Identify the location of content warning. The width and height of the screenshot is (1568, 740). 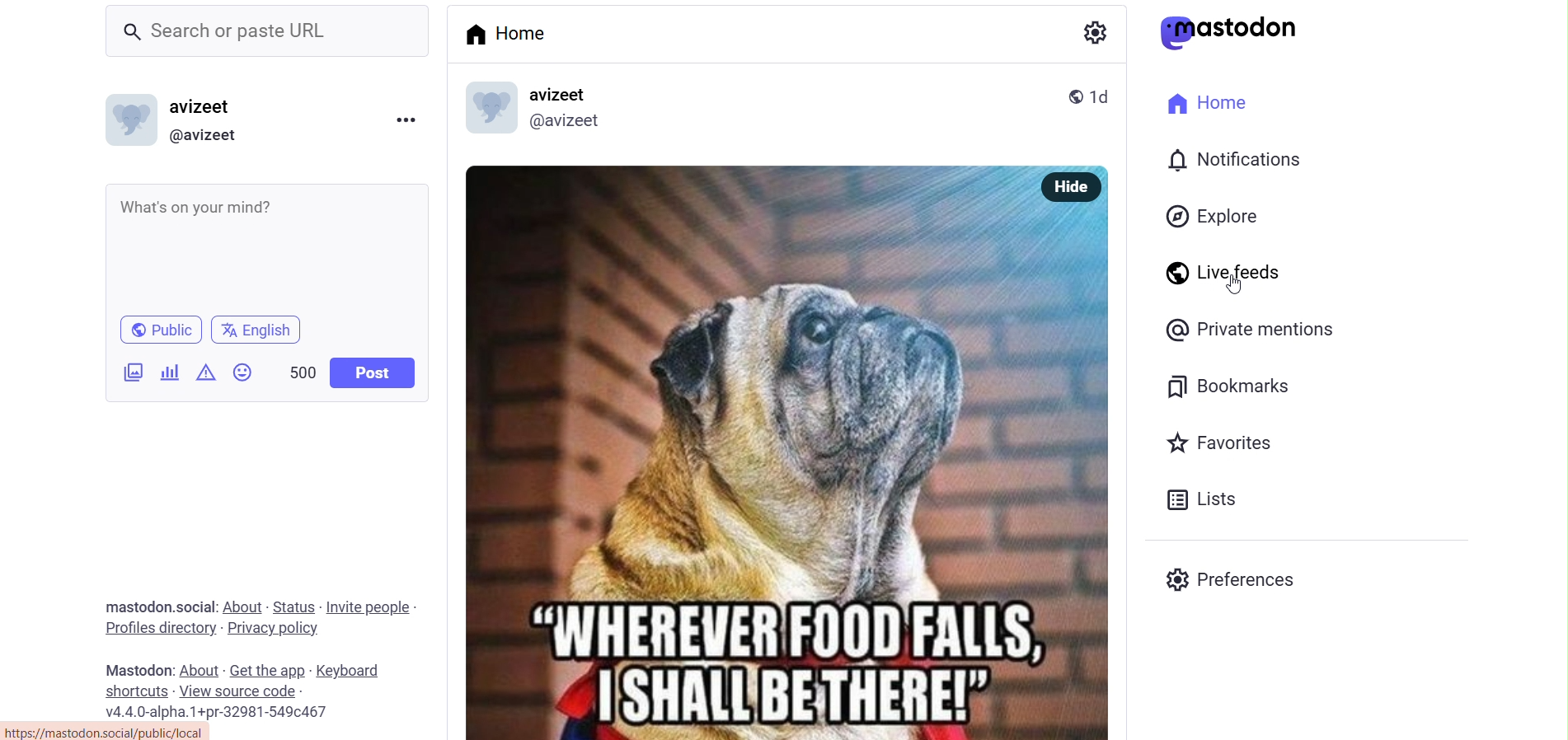
(204, 373).